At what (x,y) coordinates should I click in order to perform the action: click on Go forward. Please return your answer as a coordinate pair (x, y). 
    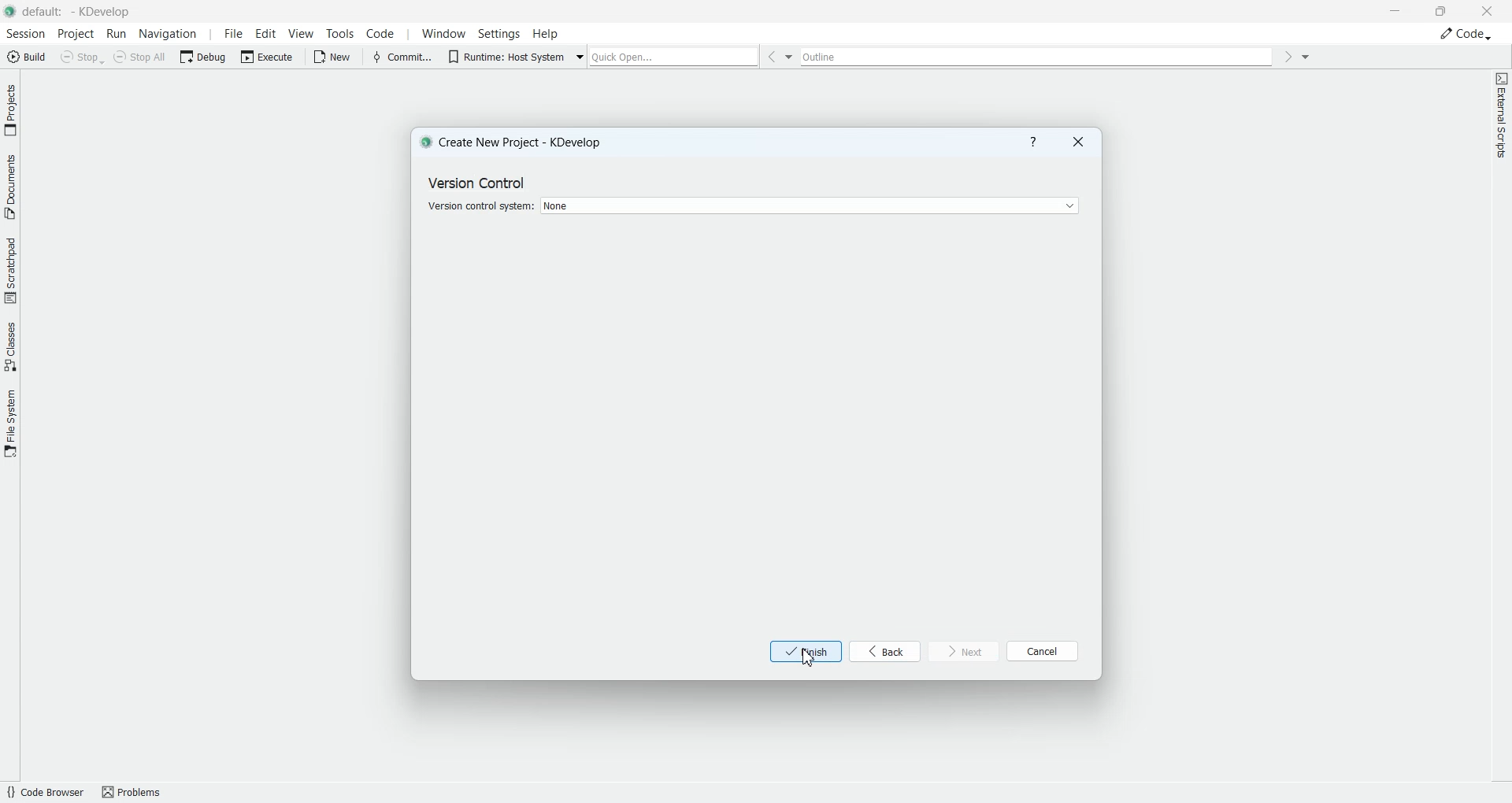
    Looking at the image, I should click on (1288, 57).